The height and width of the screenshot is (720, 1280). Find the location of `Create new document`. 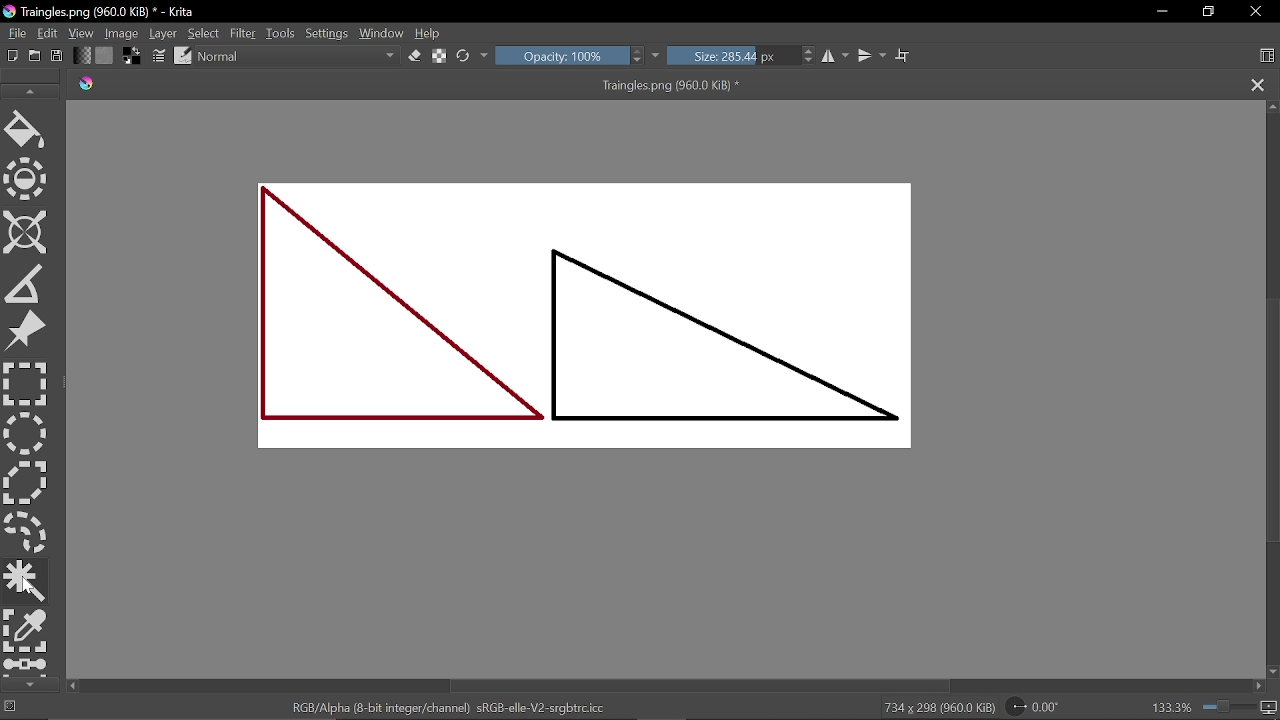

Create new document is located at coordinates (13, 56).